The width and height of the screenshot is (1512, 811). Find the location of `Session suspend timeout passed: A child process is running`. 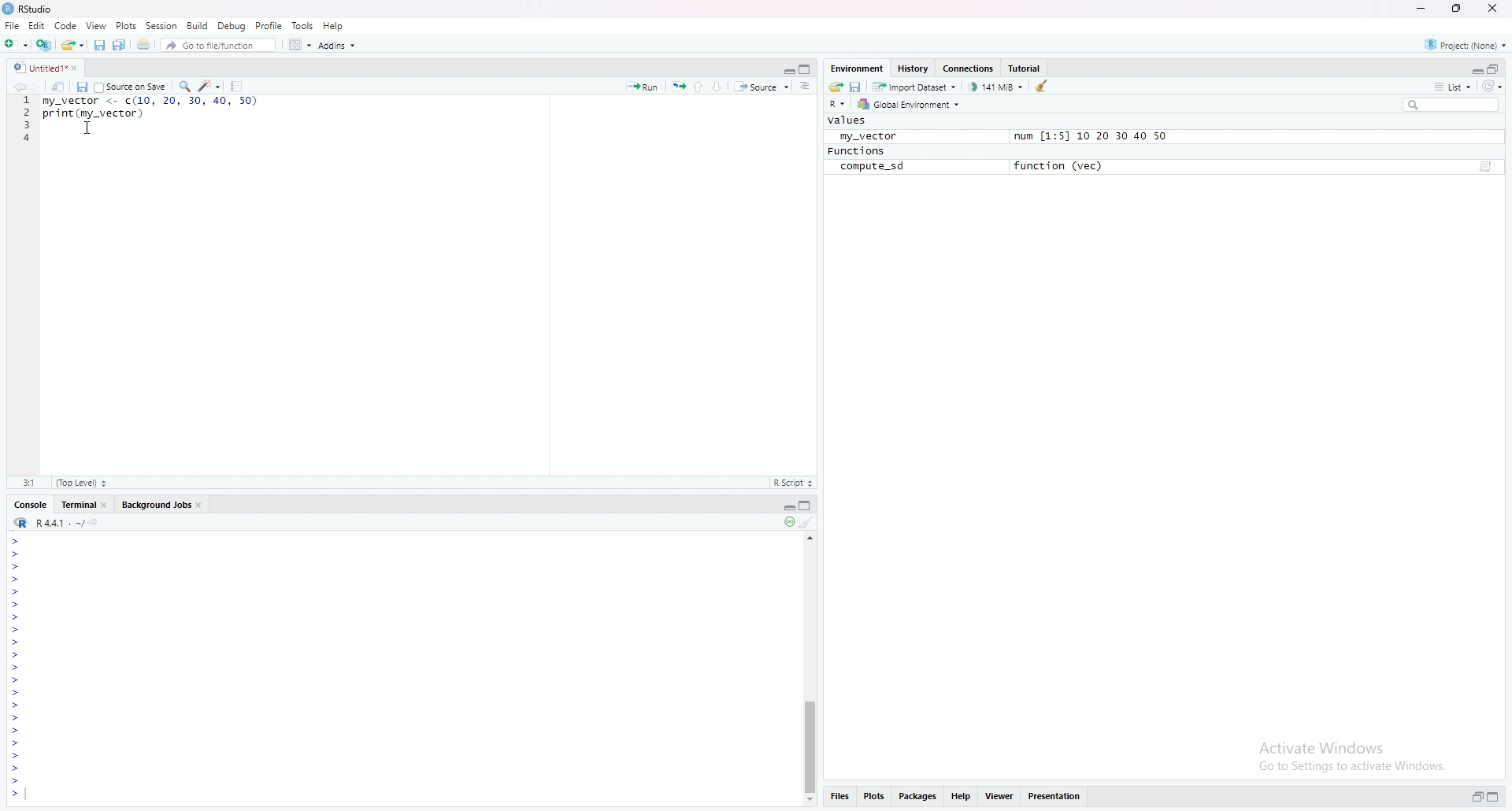

Session suspend timeout passed: A child process is running is located at coordinates (787, 523).